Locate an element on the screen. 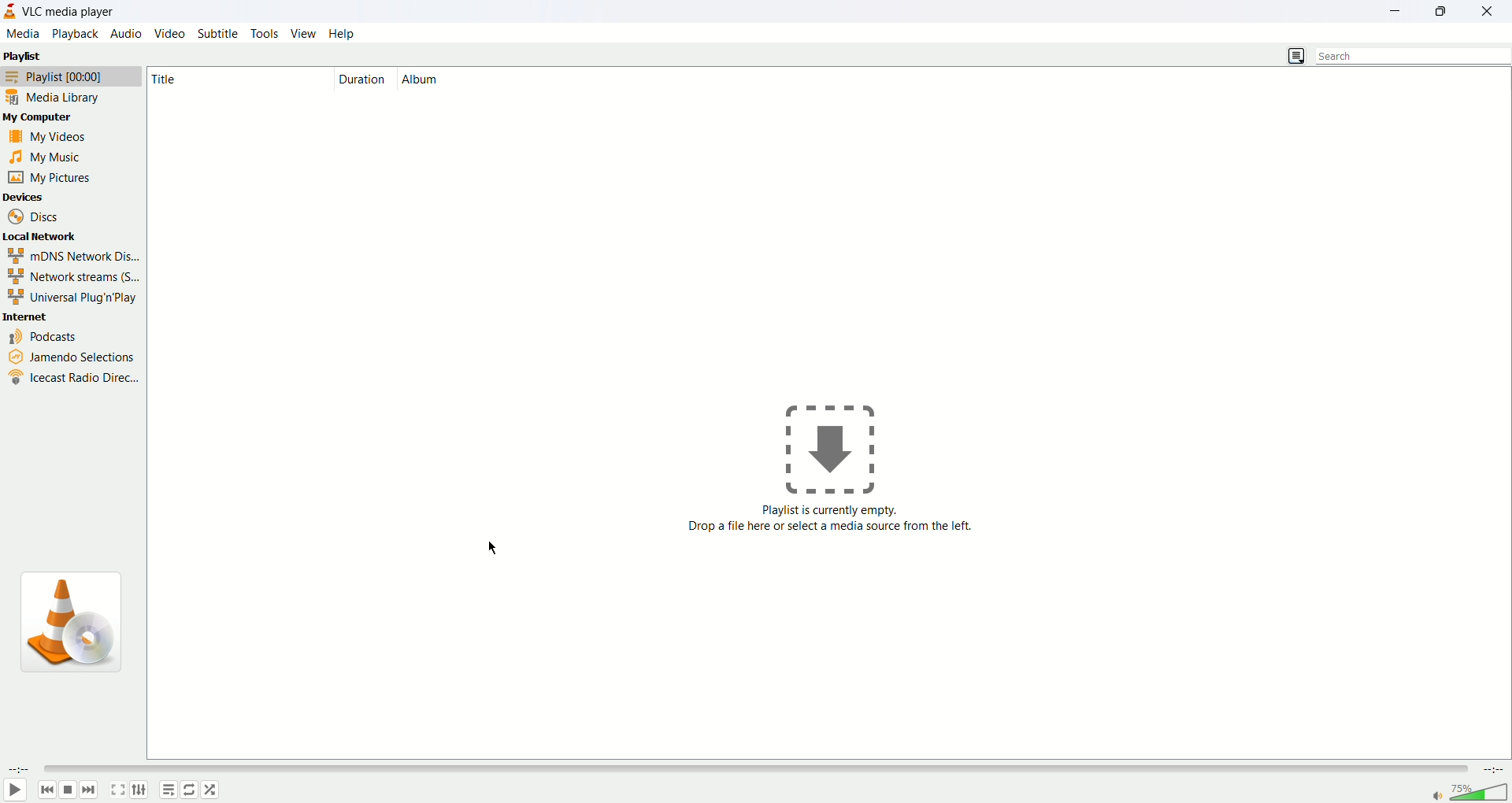 The image size is (1512, 803). network streams is located at coordinates (74, 275).